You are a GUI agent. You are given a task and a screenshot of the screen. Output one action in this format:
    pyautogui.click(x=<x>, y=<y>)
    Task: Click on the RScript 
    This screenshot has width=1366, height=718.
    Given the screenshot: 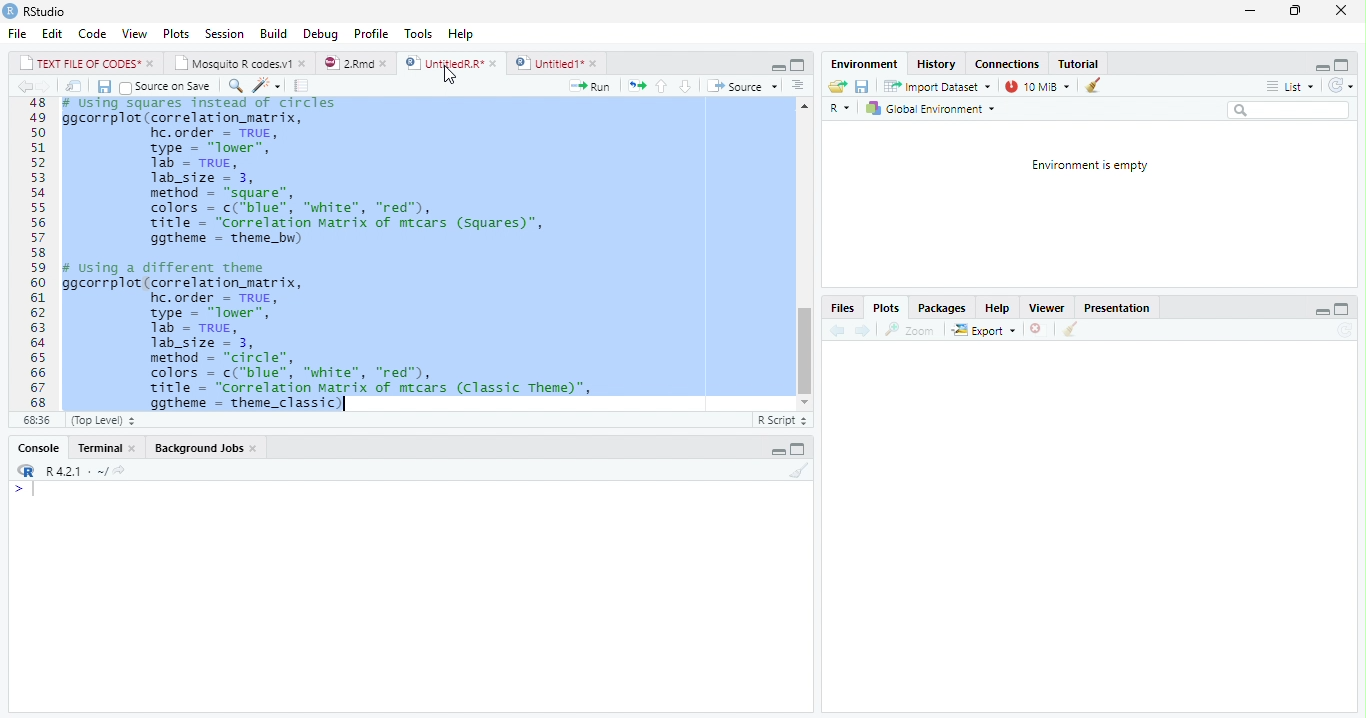 What is the action you would take?
    pyautogui.click(x=781, y=421)
    